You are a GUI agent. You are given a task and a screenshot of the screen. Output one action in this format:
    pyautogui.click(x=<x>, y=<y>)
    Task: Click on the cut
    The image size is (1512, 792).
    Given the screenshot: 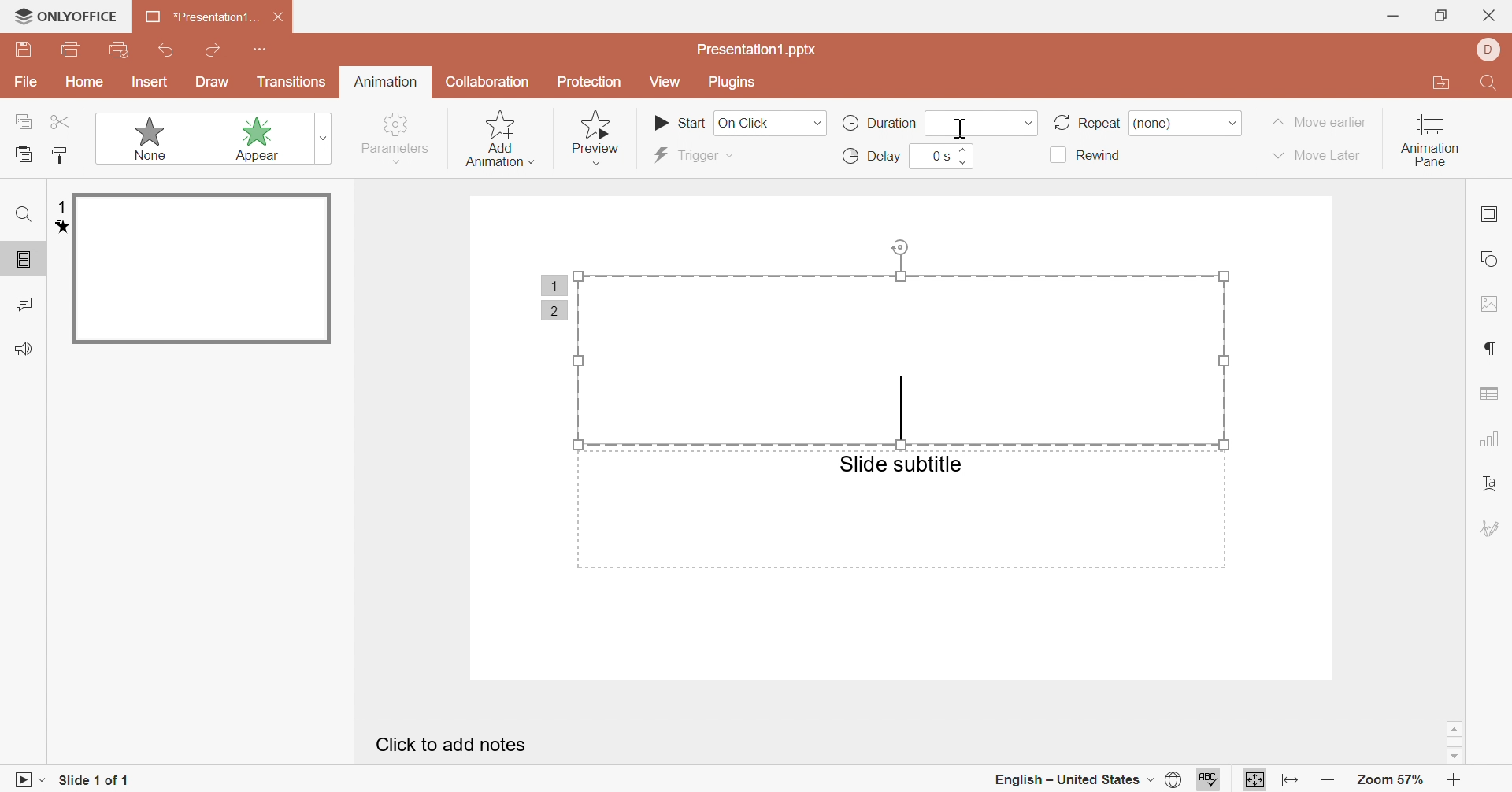 What is the action you would take?
    pyautogui.click(x=61, y=122)
    